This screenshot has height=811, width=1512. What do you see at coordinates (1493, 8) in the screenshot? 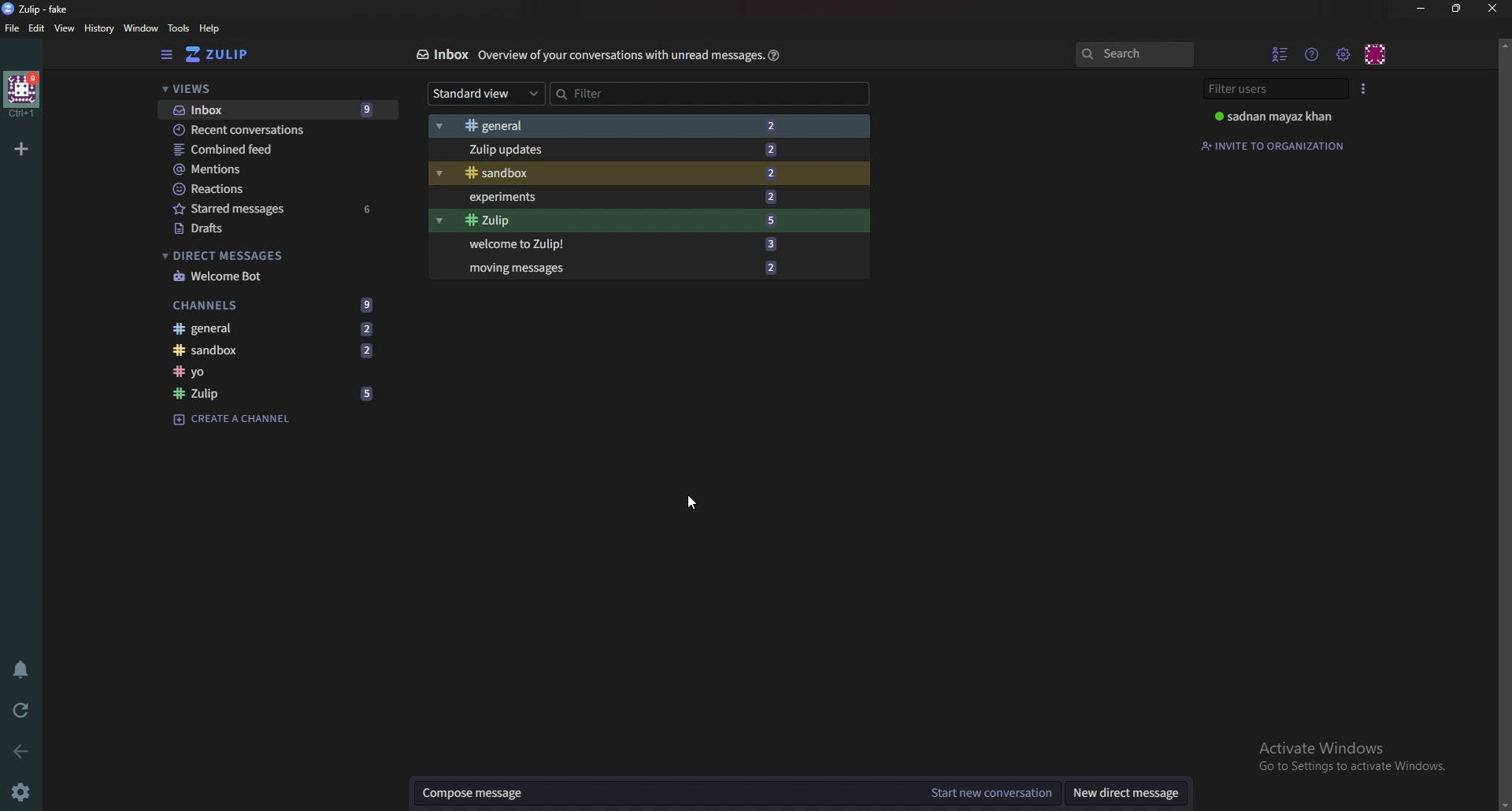
I see `close` at bounding box center [1493, 8].